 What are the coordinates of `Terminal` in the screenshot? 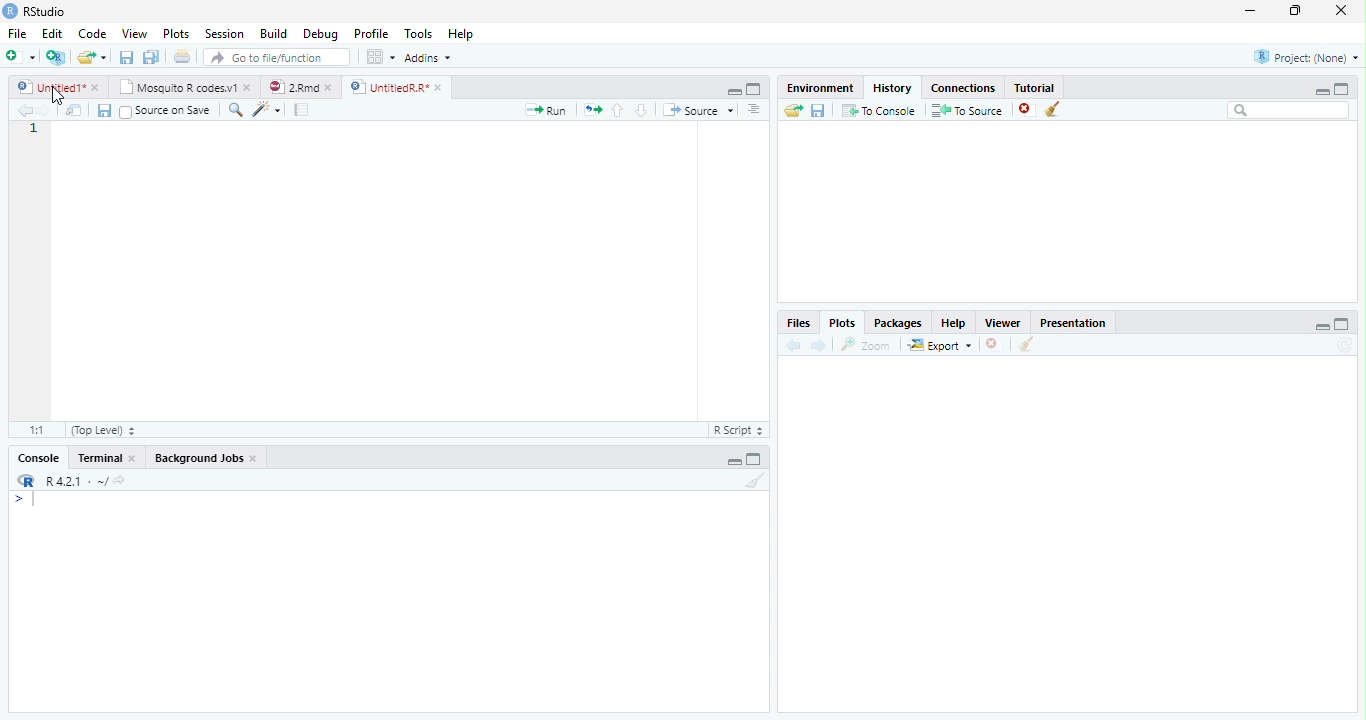 It's located at (99, 458).